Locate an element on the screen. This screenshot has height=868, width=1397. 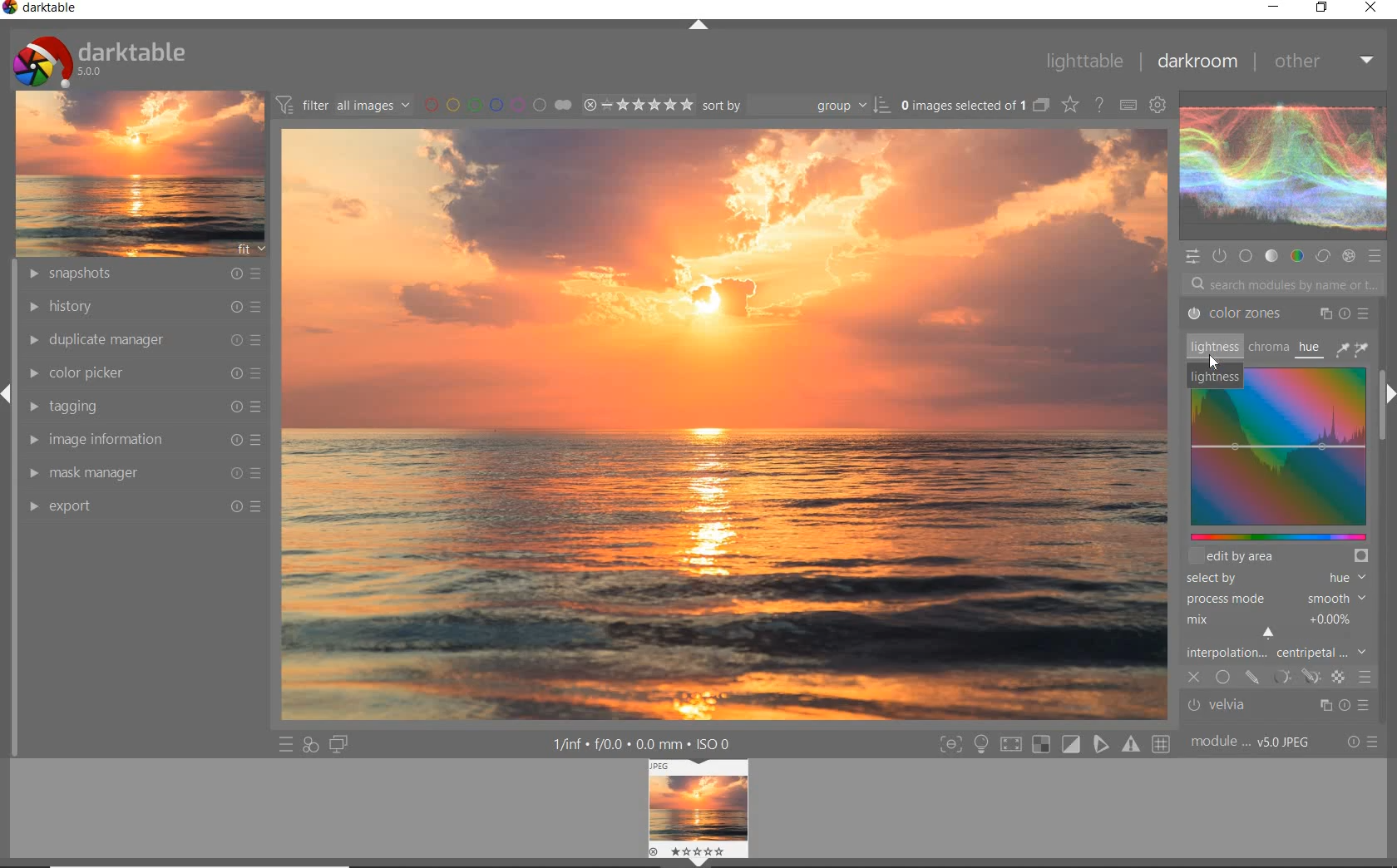
CHANGE TYPE FOR OVER RELAY is located at coordinates (1069, 104).